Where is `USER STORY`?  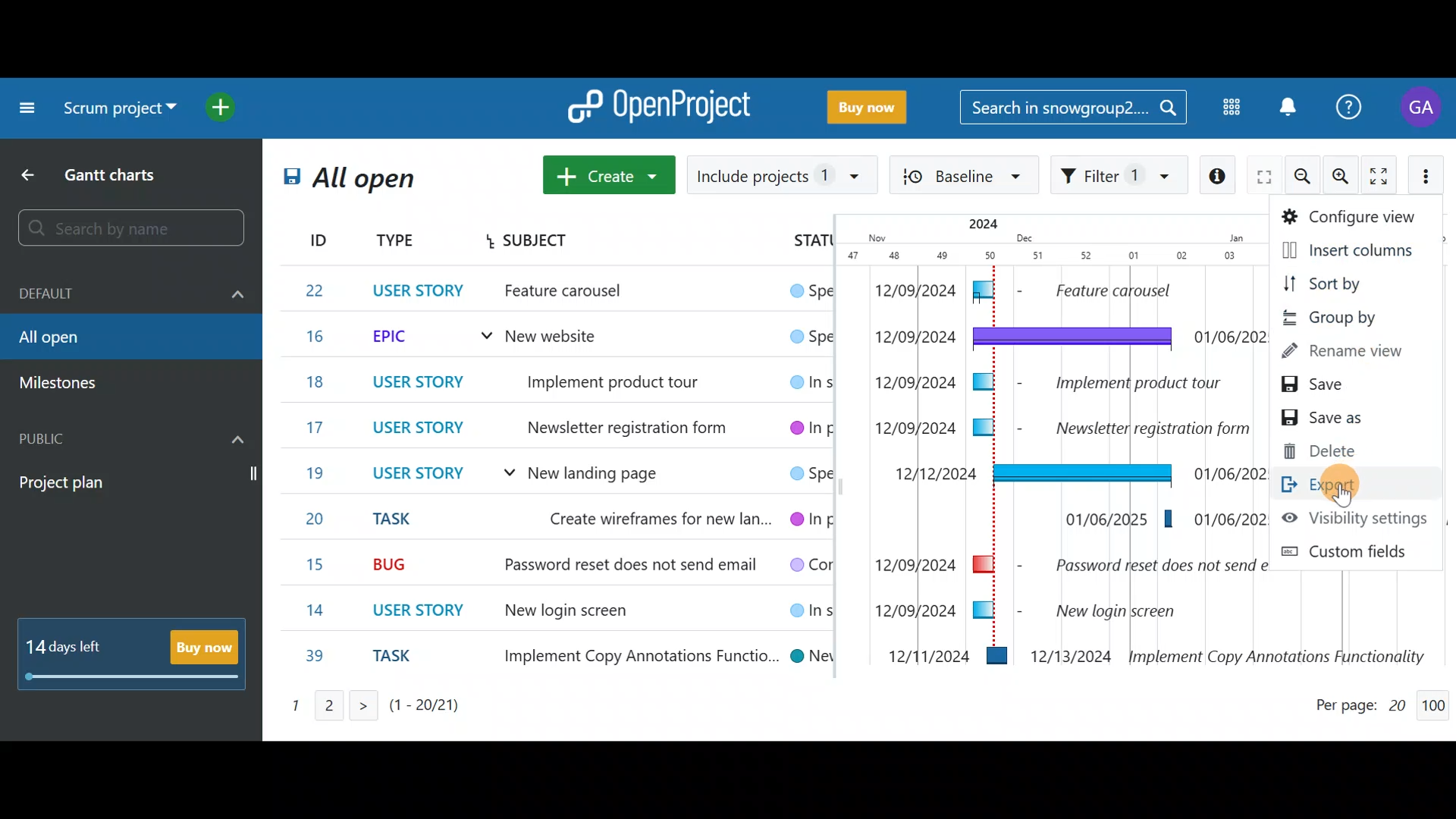
USER STORY is located at coordinates (426, 610).